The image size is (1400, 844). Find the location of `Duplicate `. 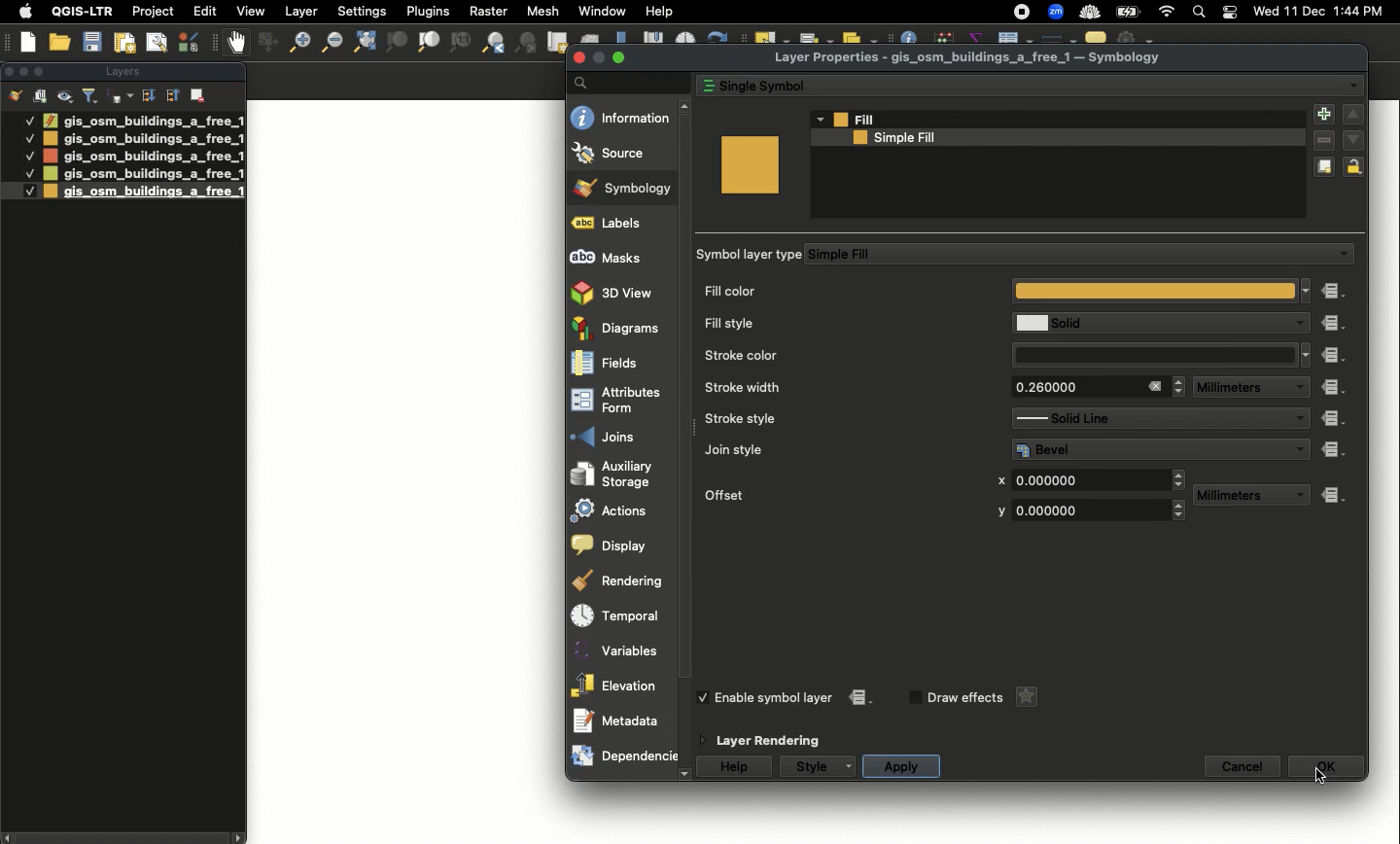

Duplicate  is located at coordinates (1324, 168).